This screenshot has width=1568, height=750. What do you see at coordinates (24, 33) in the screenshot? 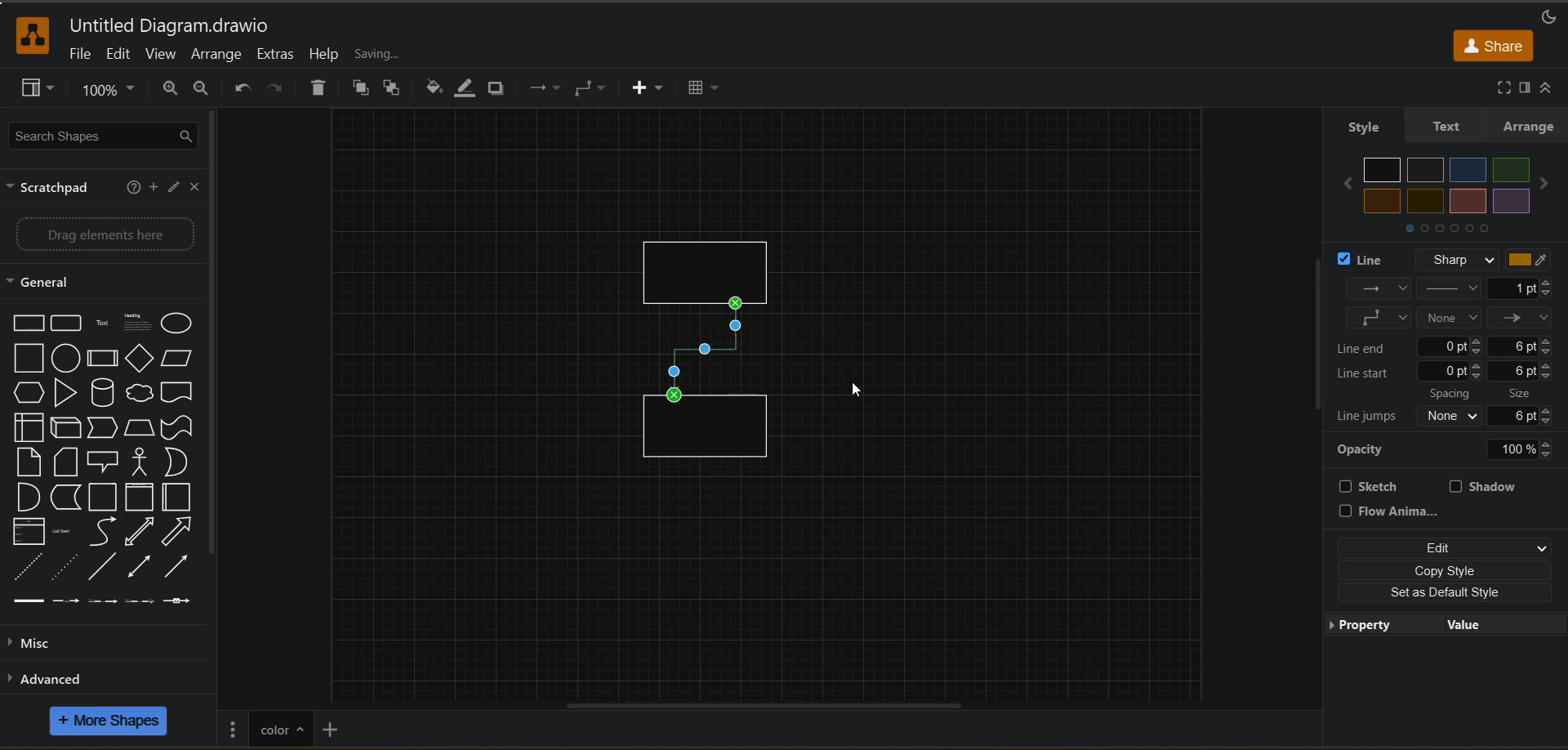
I see `app logo` at bounding box center [24, 33].